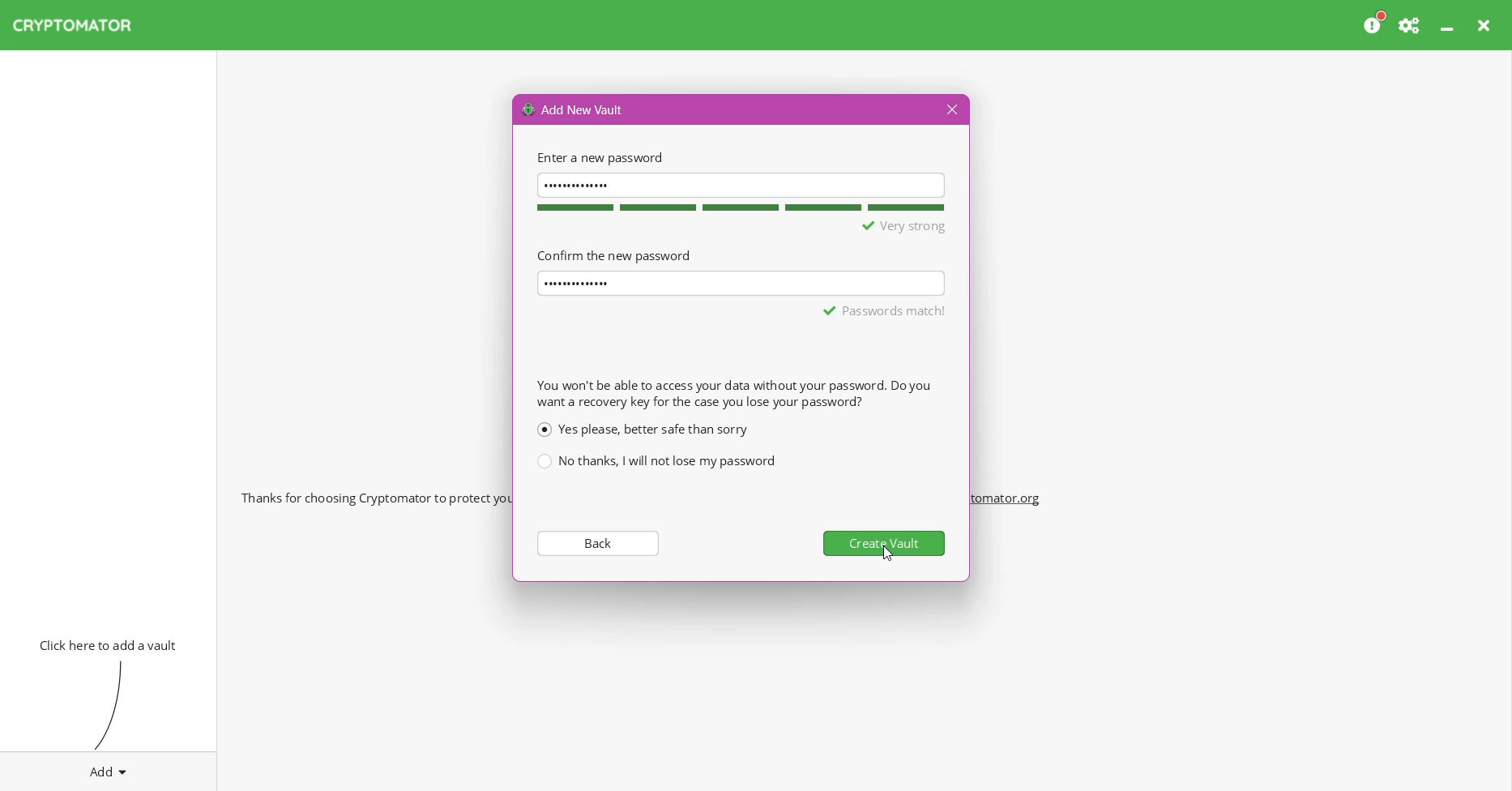  What do you see at coordinates (742, 282) in the screenshot?
I see `Confirm the new password` at bounding box center [742, 282].